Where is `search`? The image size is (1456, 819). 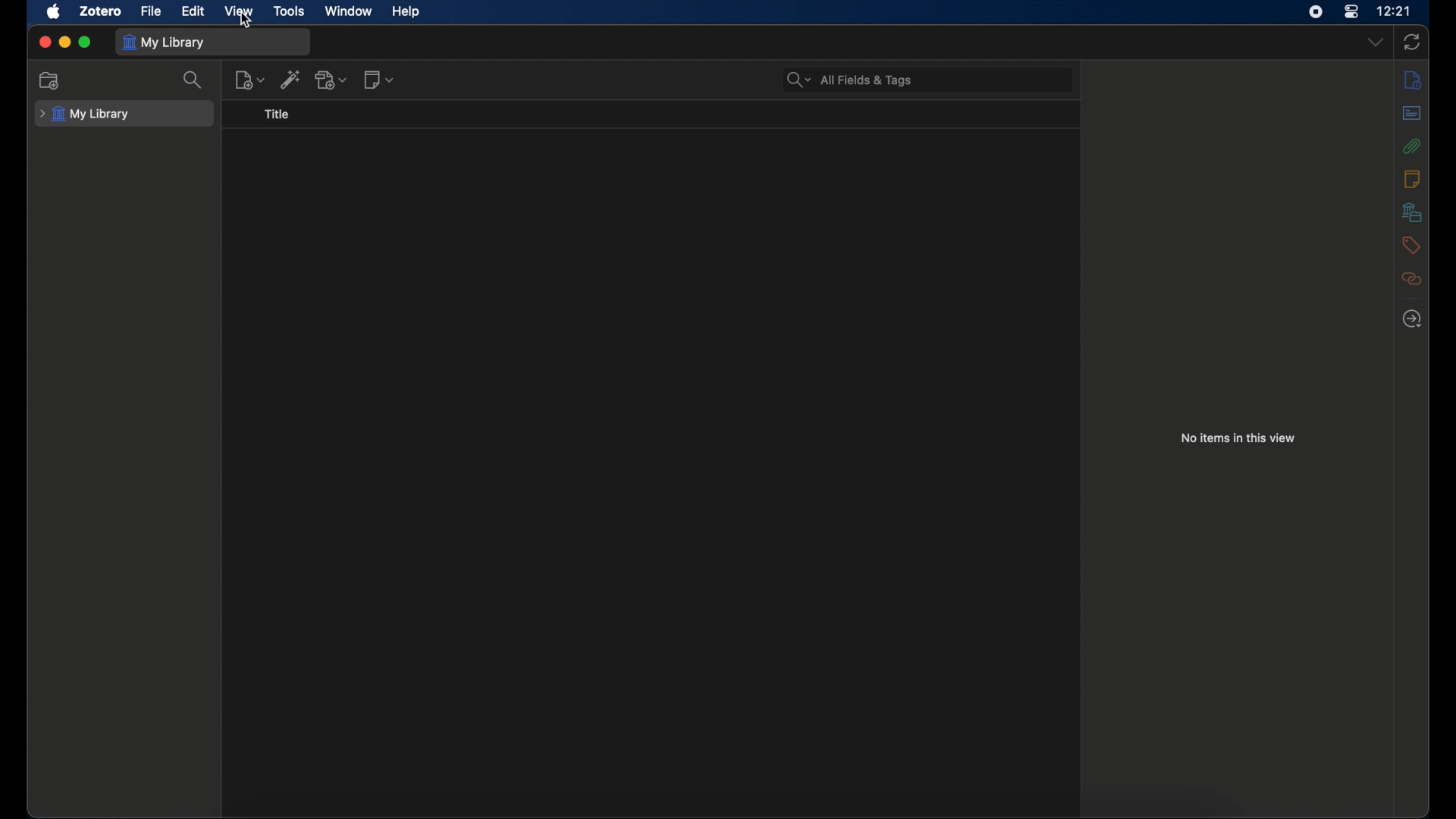
search is located at coordinates (193, 80).